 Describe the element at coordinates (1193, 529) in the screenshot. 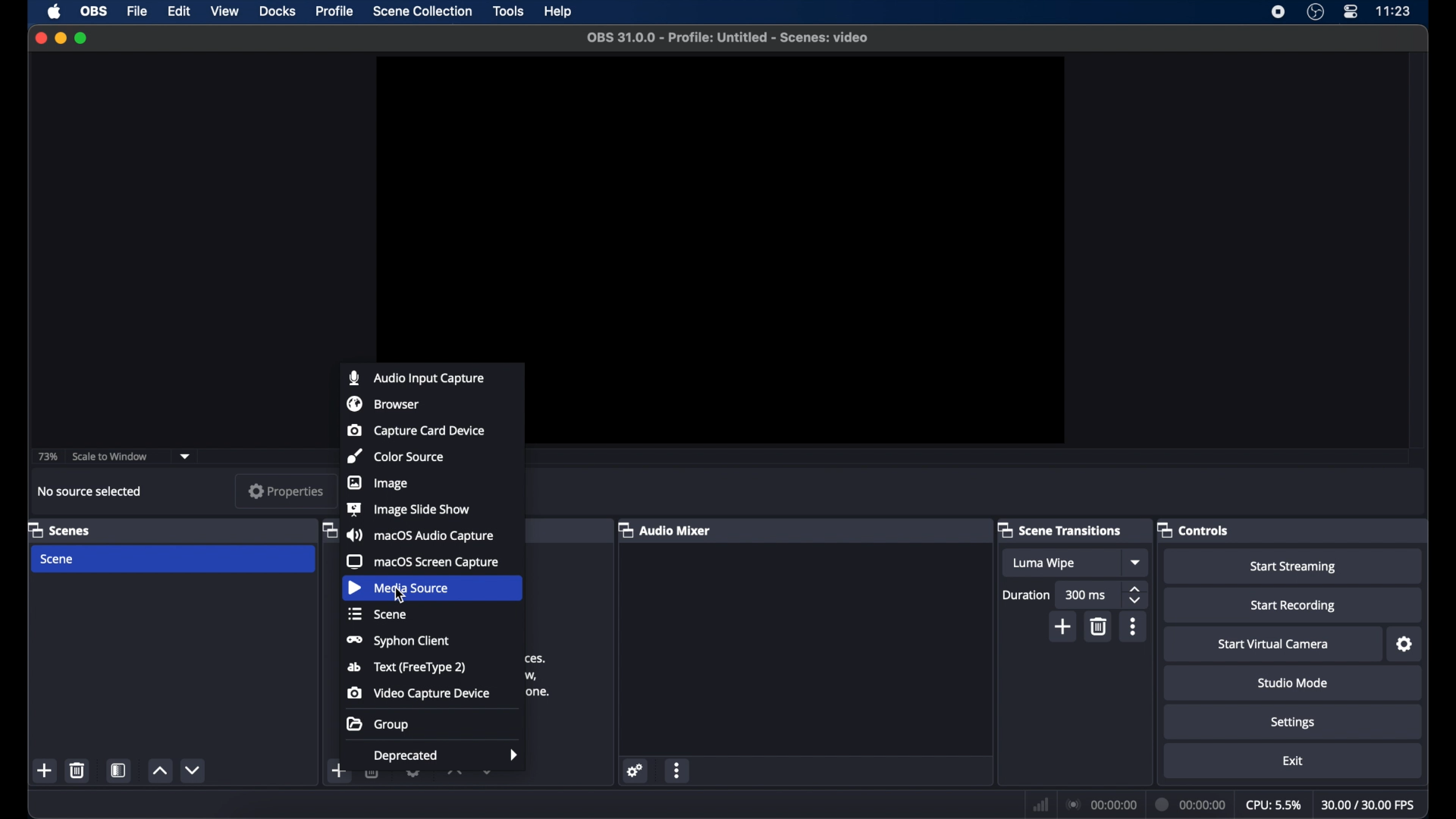

I see `controls` at that location.